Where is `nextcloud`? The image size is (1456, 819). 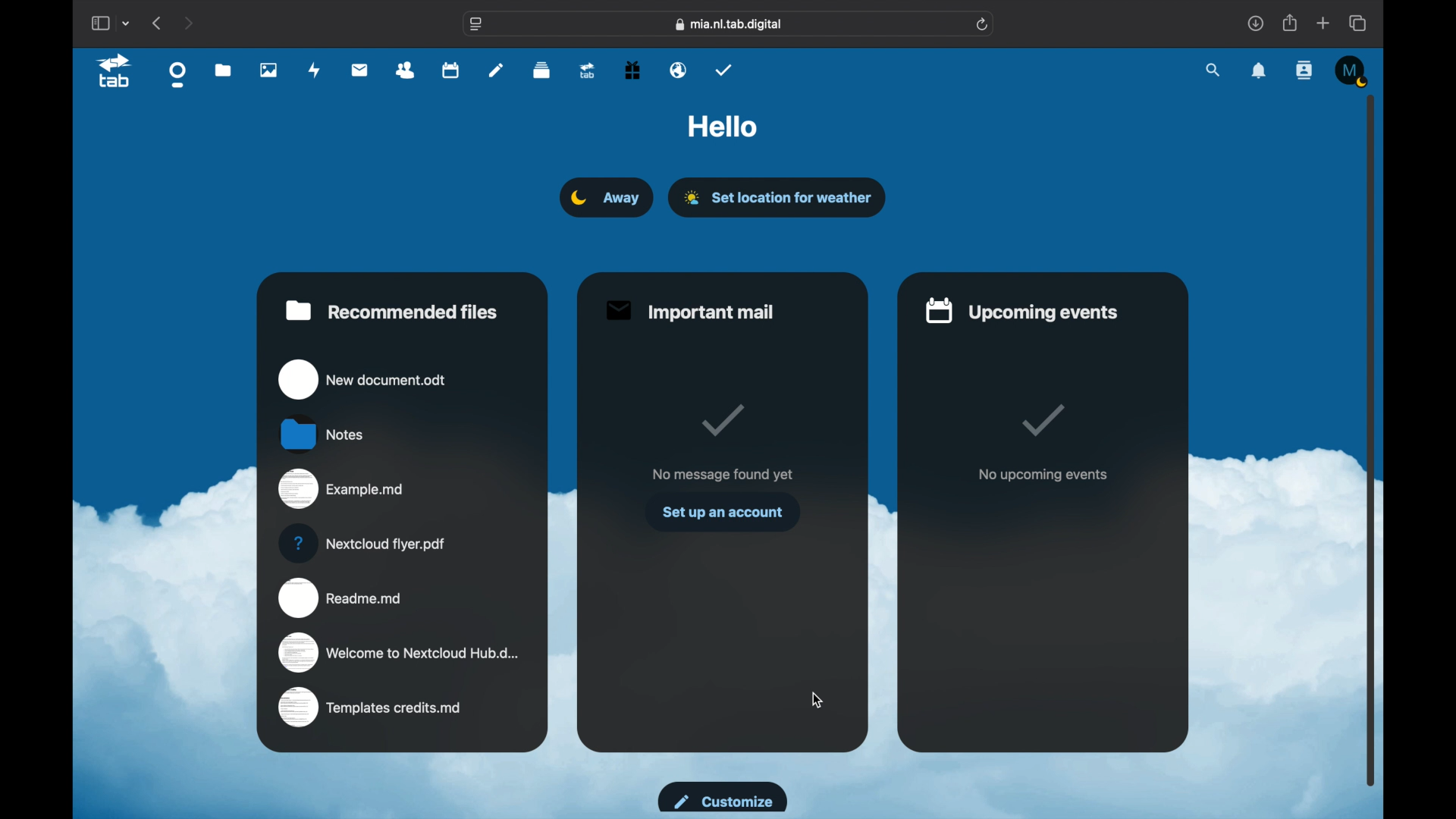 nextcloud is located at coordinates (366, 543).